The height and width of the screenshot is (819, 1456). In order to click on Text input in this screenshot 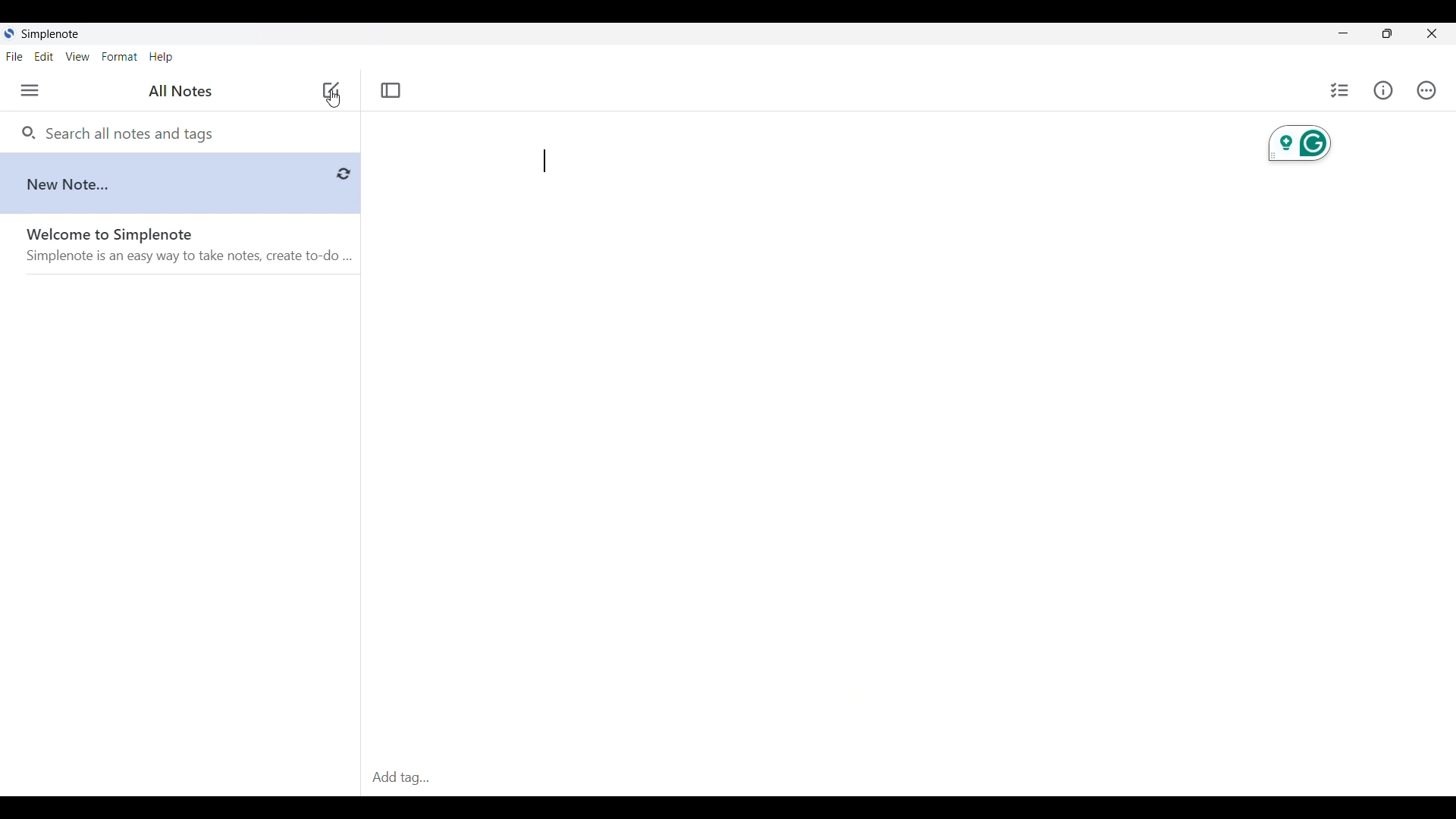, I will do `click(872, 444)`.